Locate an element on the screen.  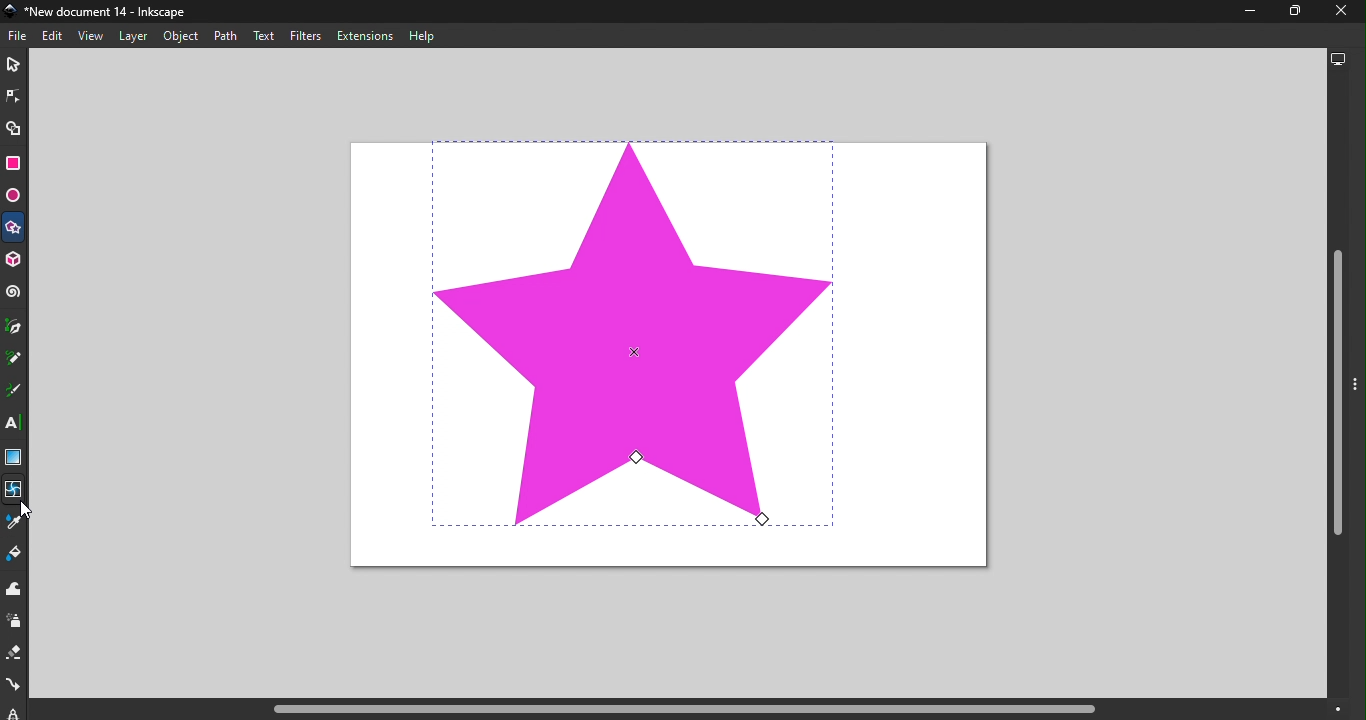
Canvas is located at coordinates (663, 354).